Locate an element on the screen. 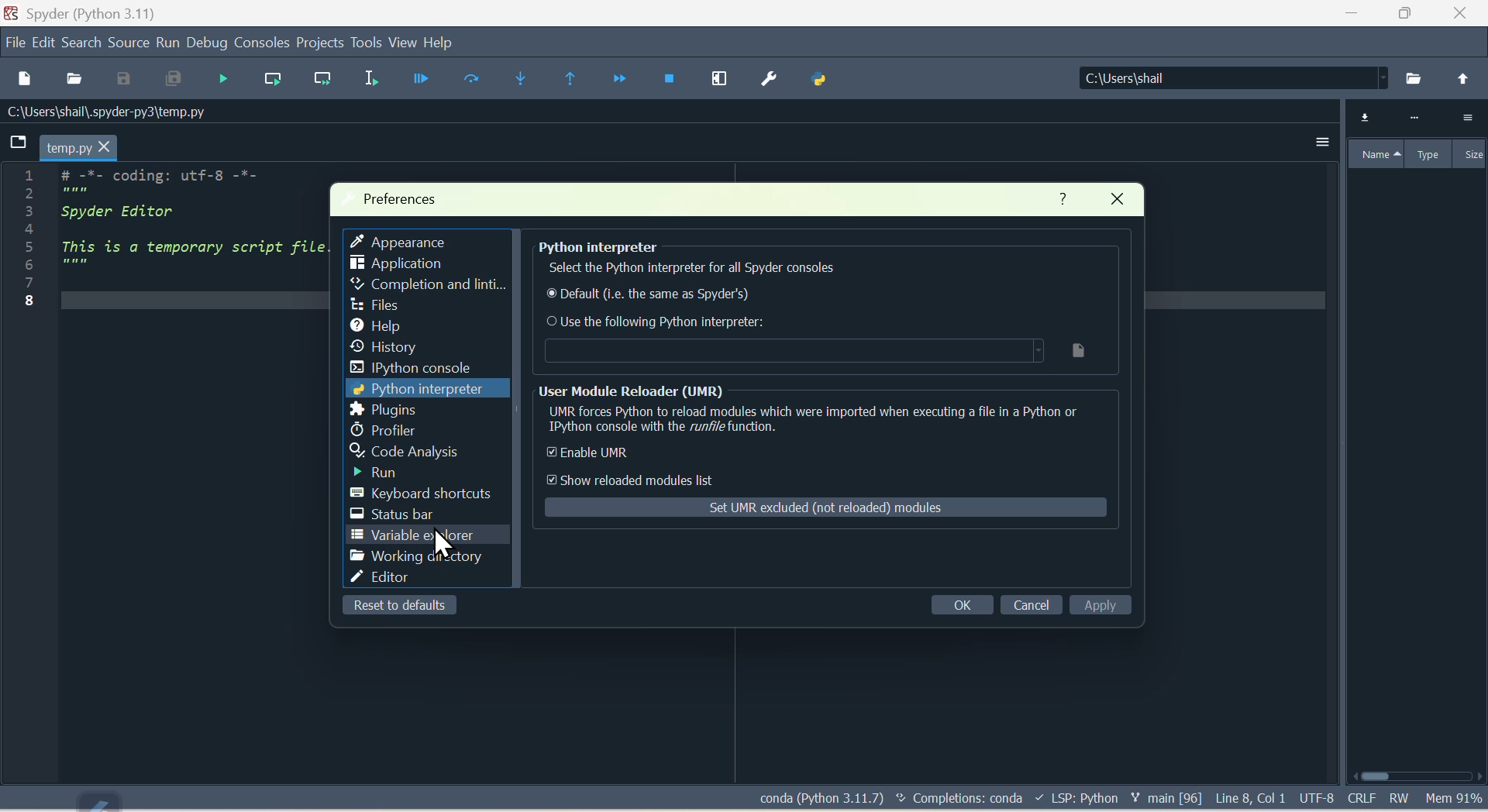  file is located at coordinates (15, 40).